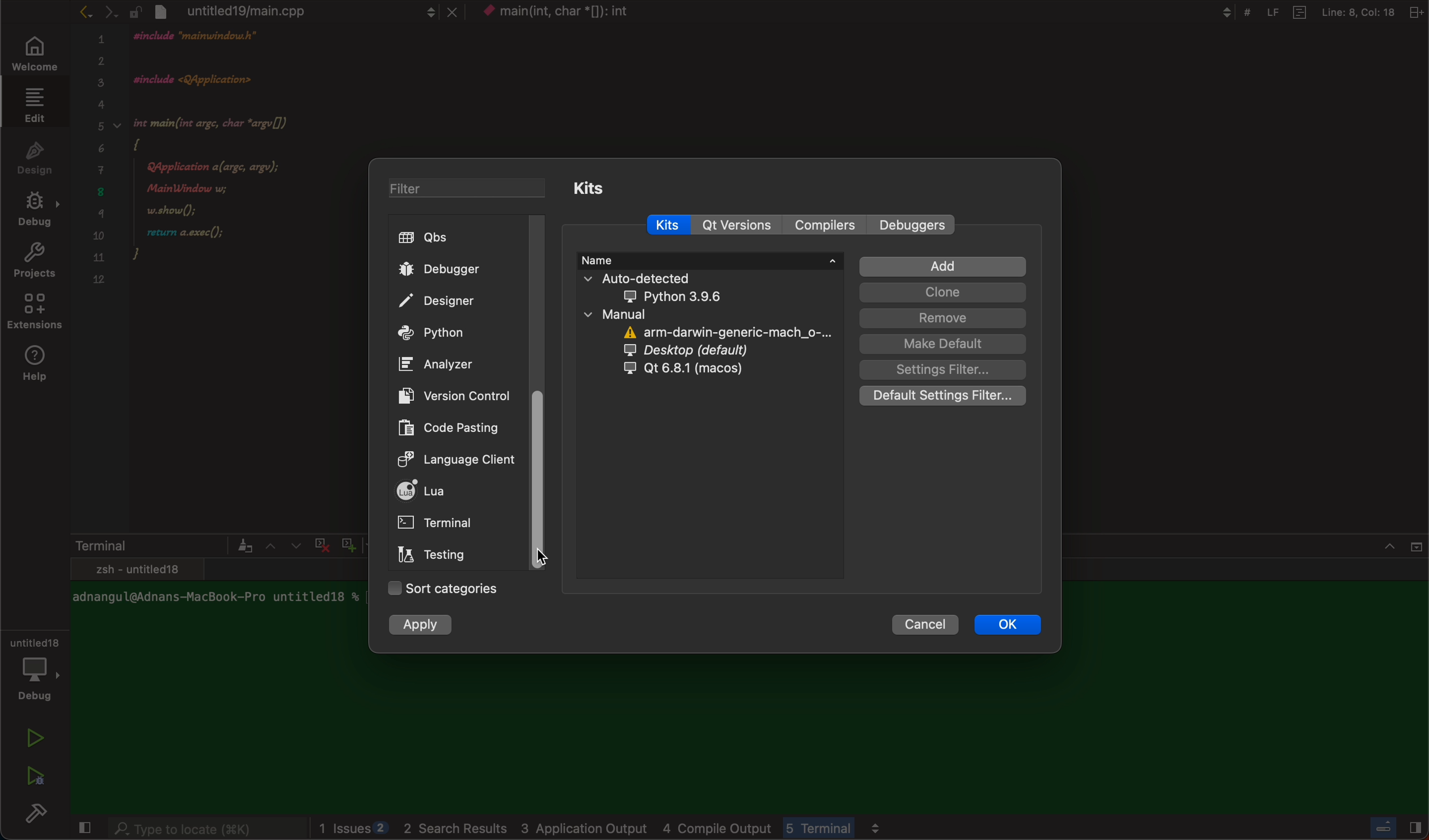 Image resolution: width=1429 pixels, height=840 pixels. Describe the element at coordinates (294, 11) in the screenshot. I see `file tab` at that location.